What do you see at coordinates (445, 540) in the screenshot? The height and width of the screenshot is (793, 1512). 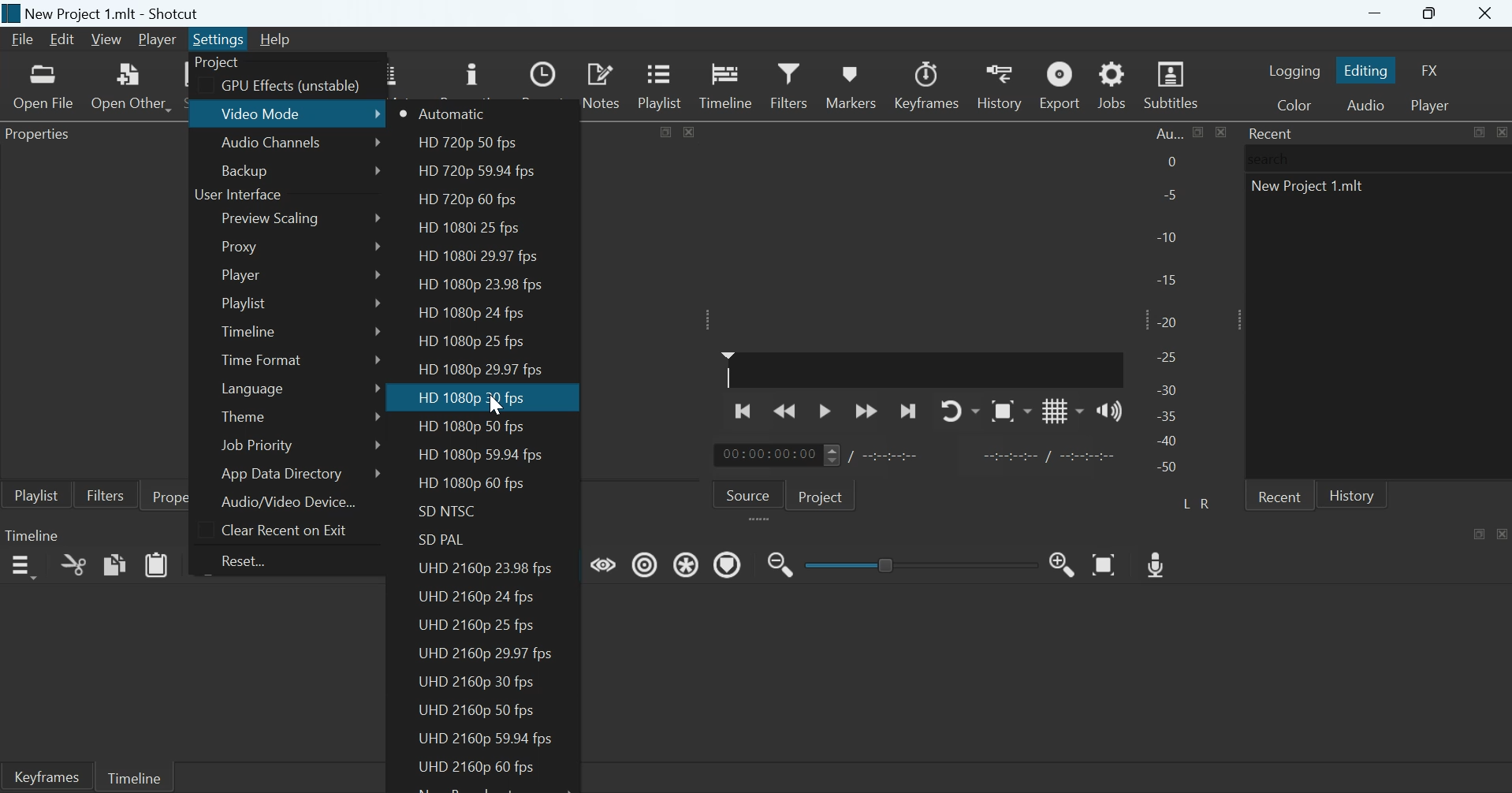 I see `SD PAL` at bounding box center [445, 540].